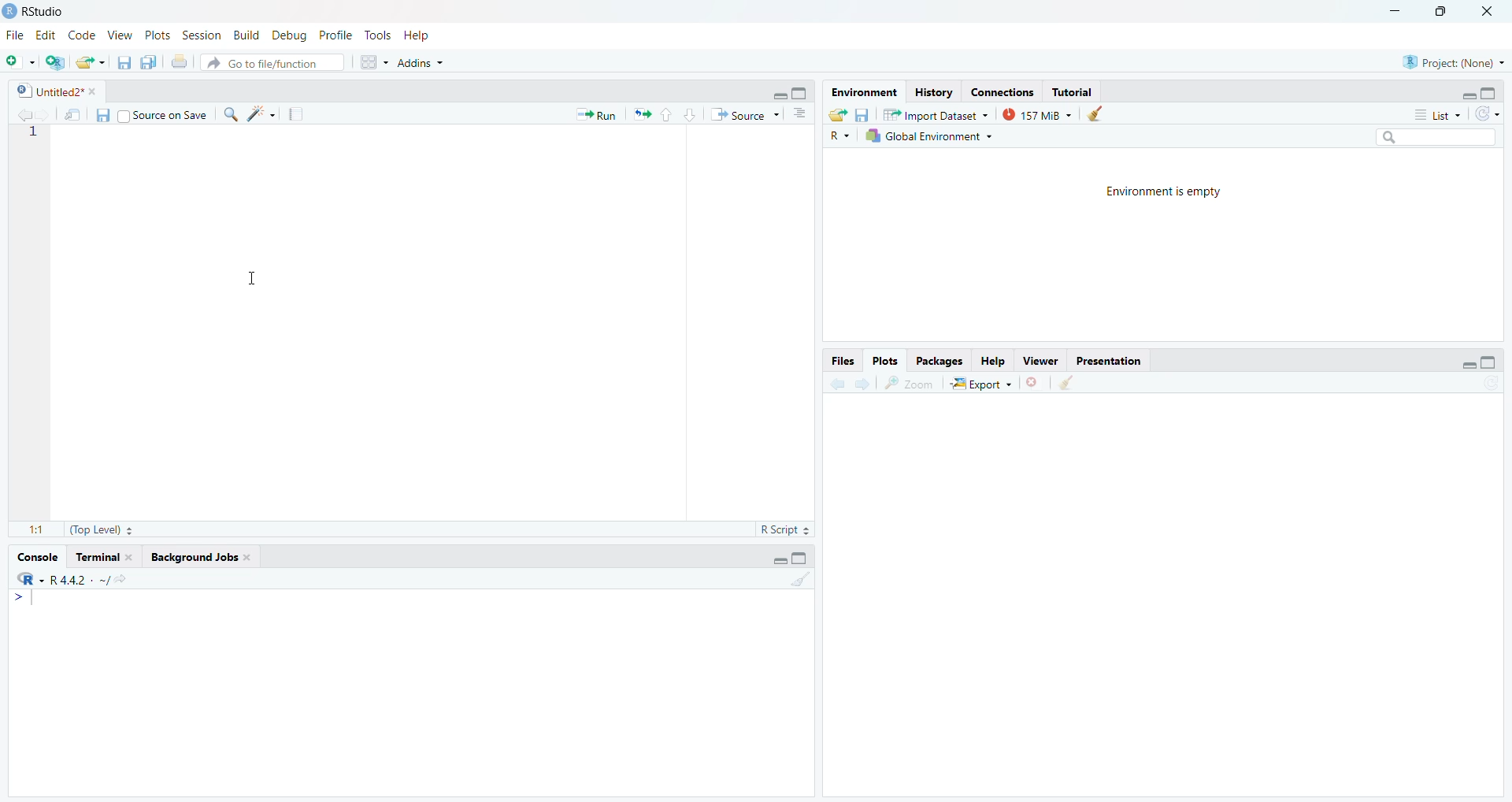 This screenshot has height=802, width=1512. Describe the element at coordinates (936, 115) in the screenshot. I see `Import Dataset` at that location.